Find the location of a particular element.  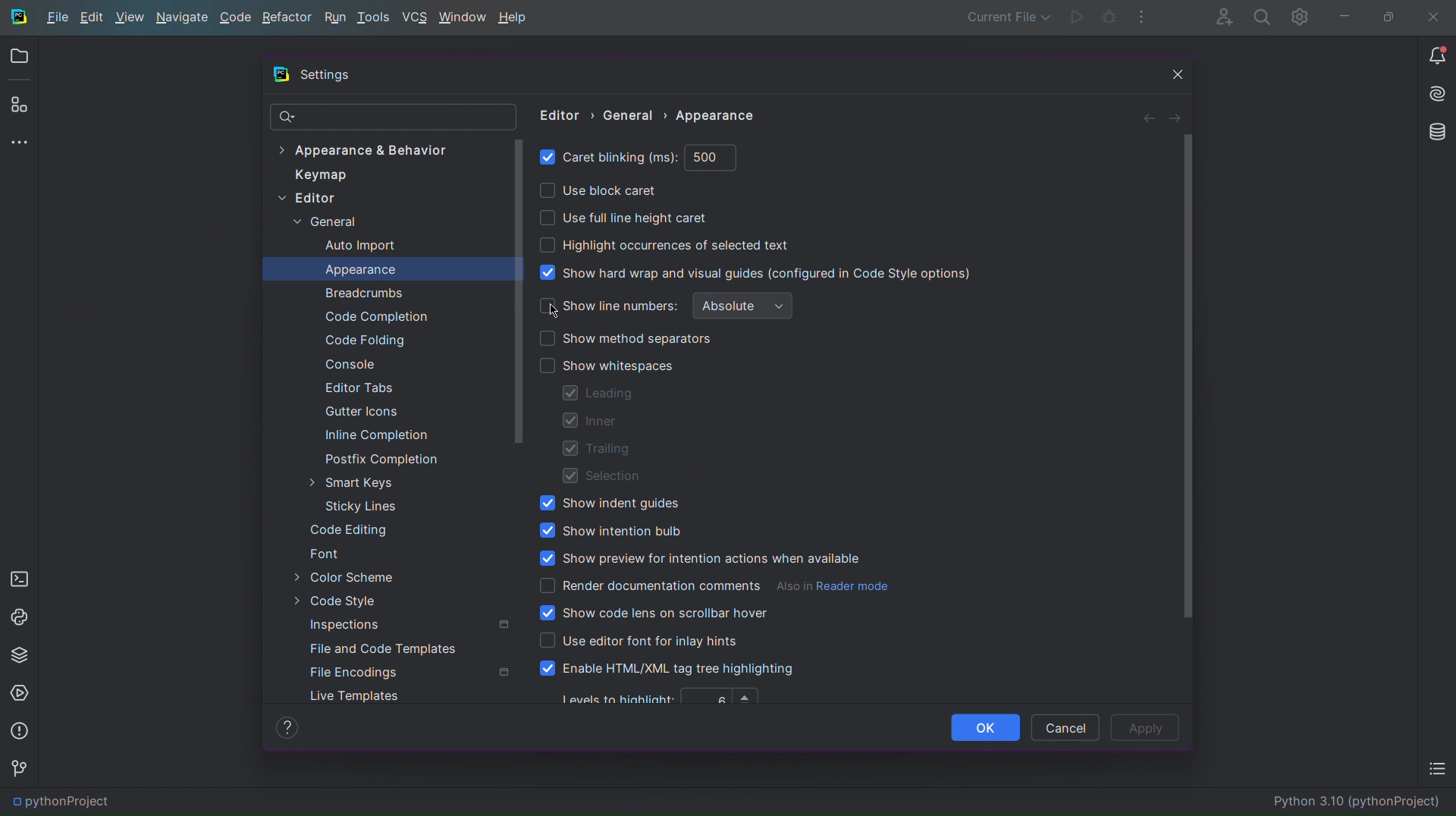

View is located at coordinates (128, 19).